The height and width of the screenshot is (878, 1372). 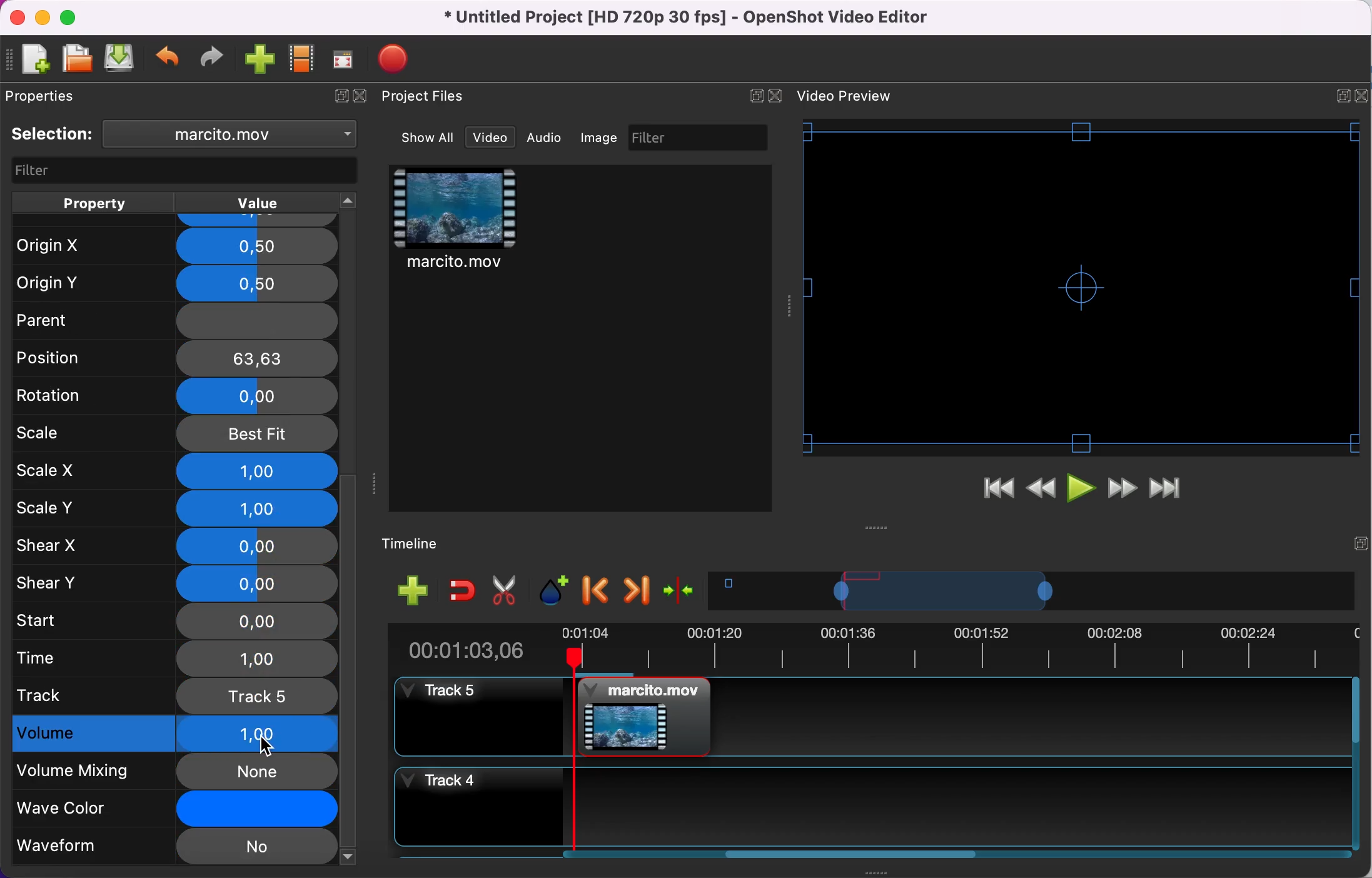 I want to click on image, so click(x=600, y=138).